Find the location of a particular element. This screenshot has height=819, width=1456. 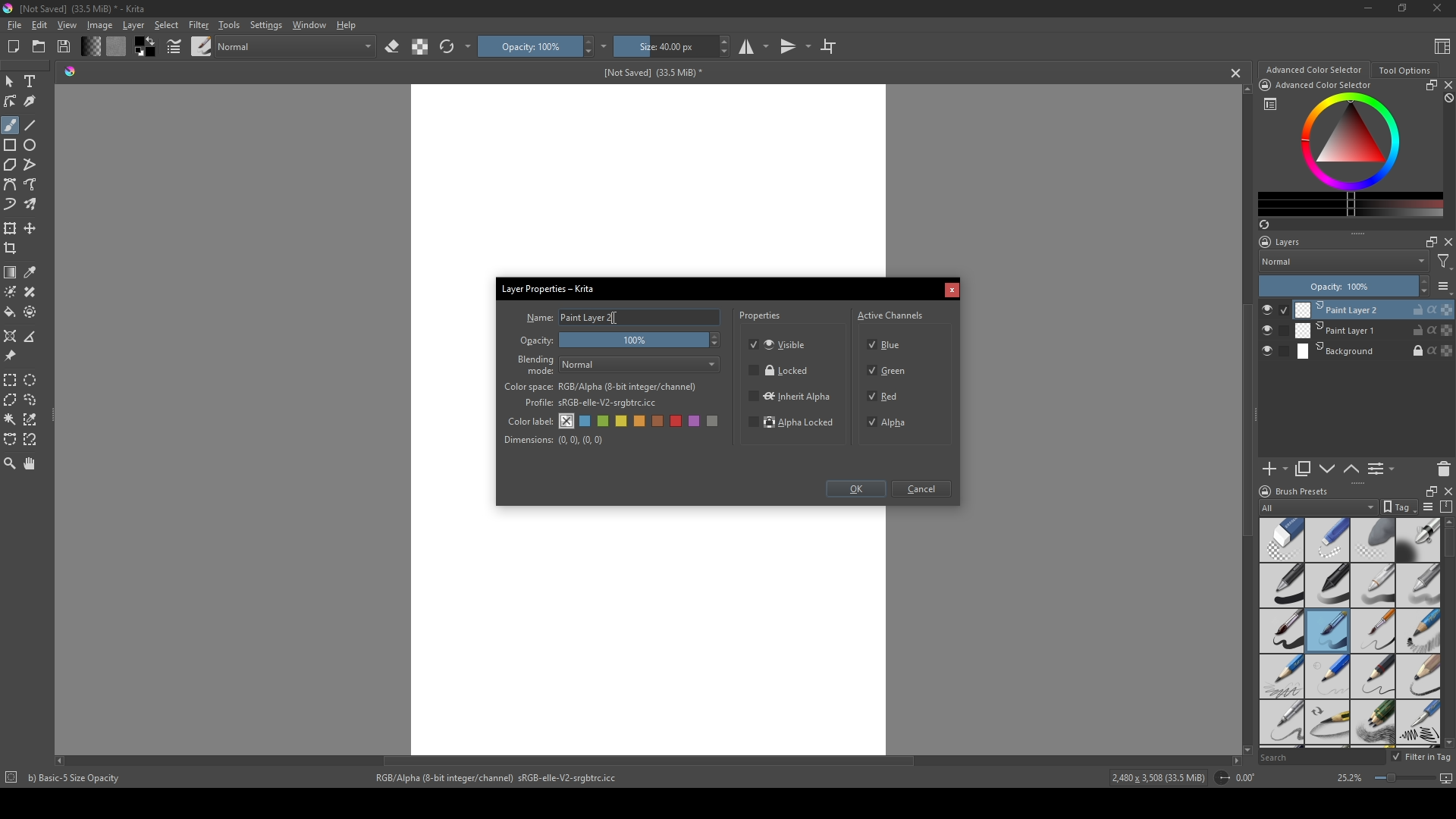

Text is located at coordinates (33, 83).